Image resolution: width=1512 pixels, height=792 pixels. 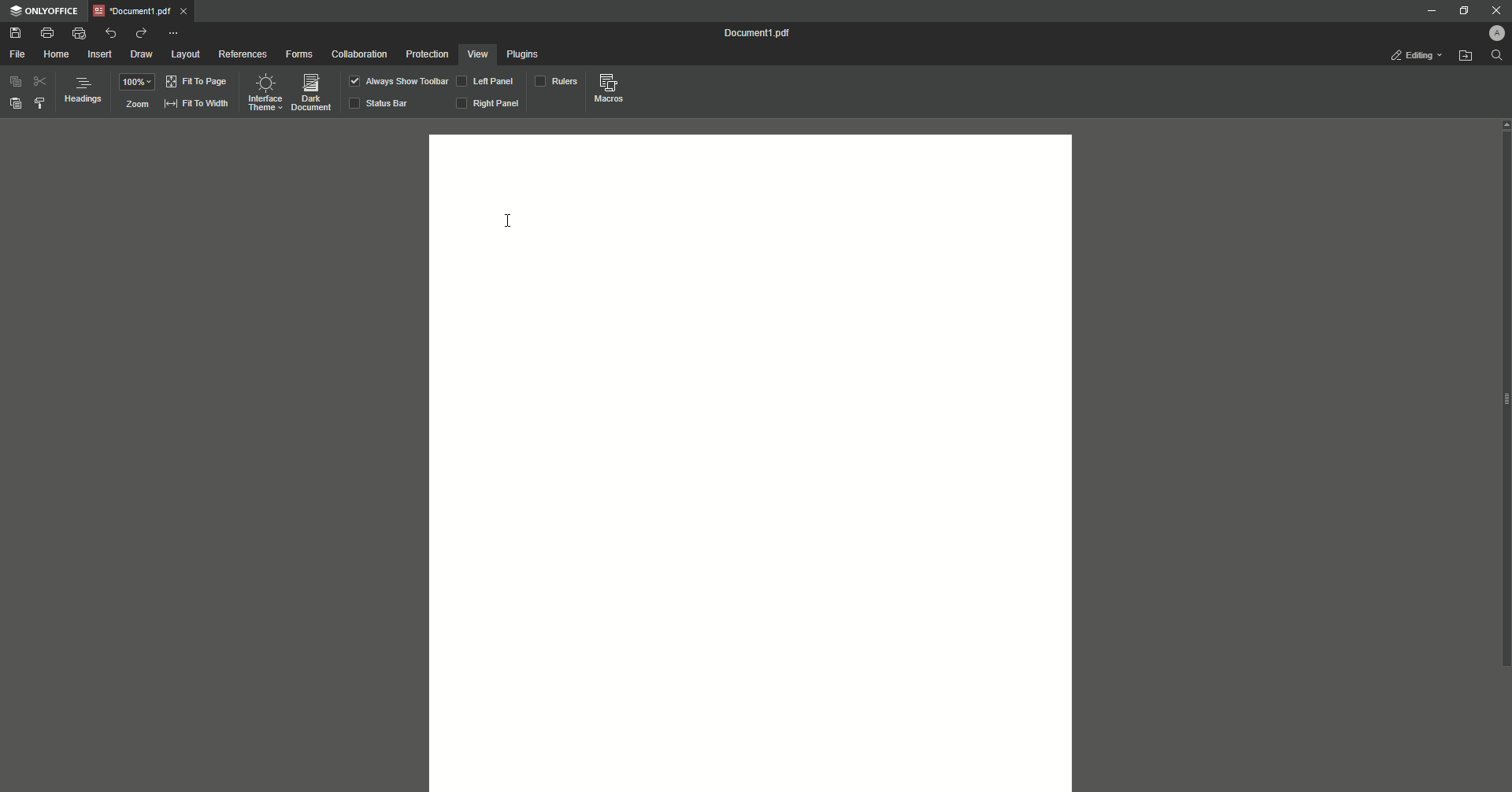 What do you see at coordinates (100, 54) in the screenshot?
I see `Insert` at bounding box center [100, 54].